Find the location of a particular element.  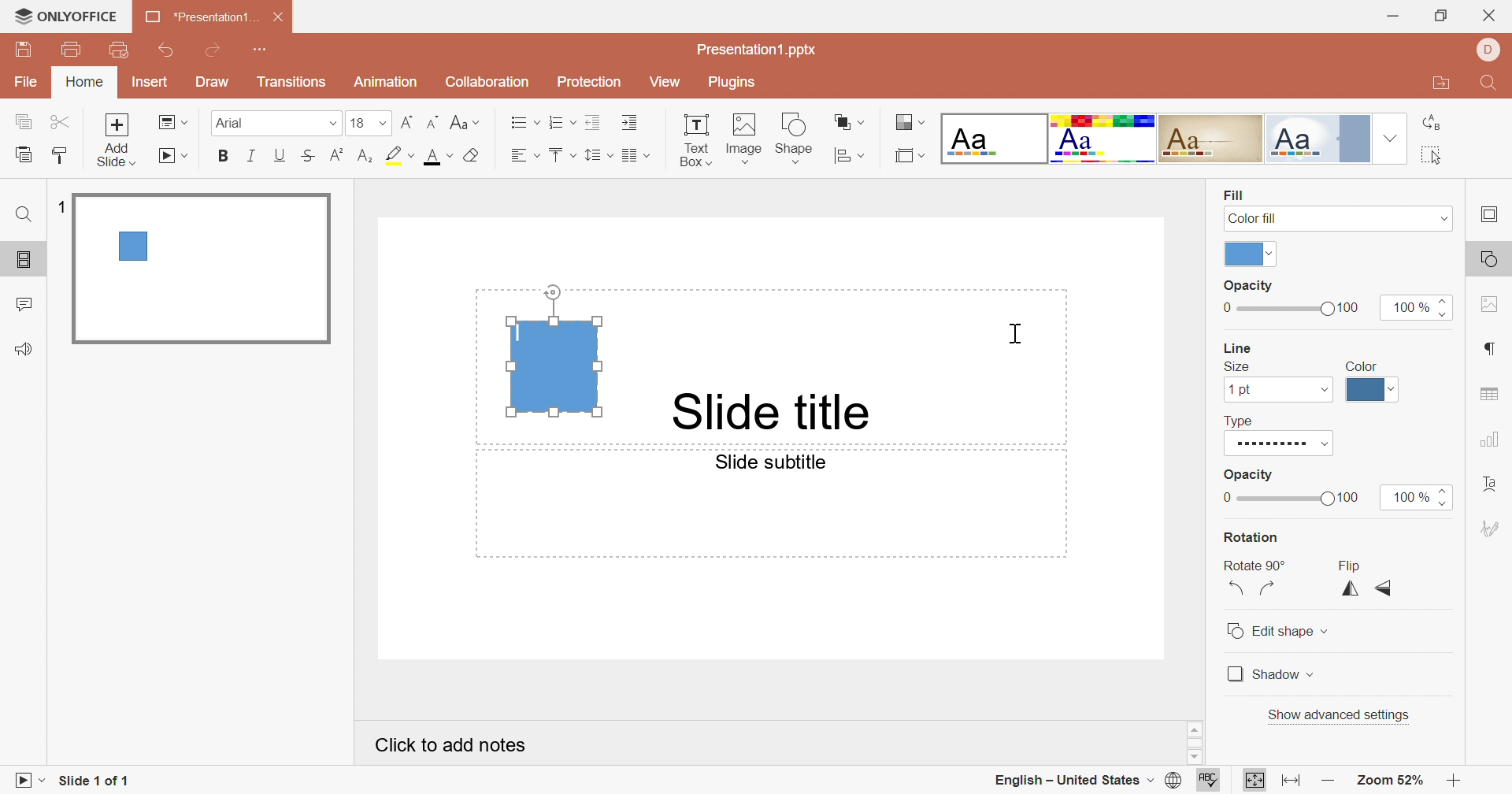

Line is located at coordinates (1234, 347).